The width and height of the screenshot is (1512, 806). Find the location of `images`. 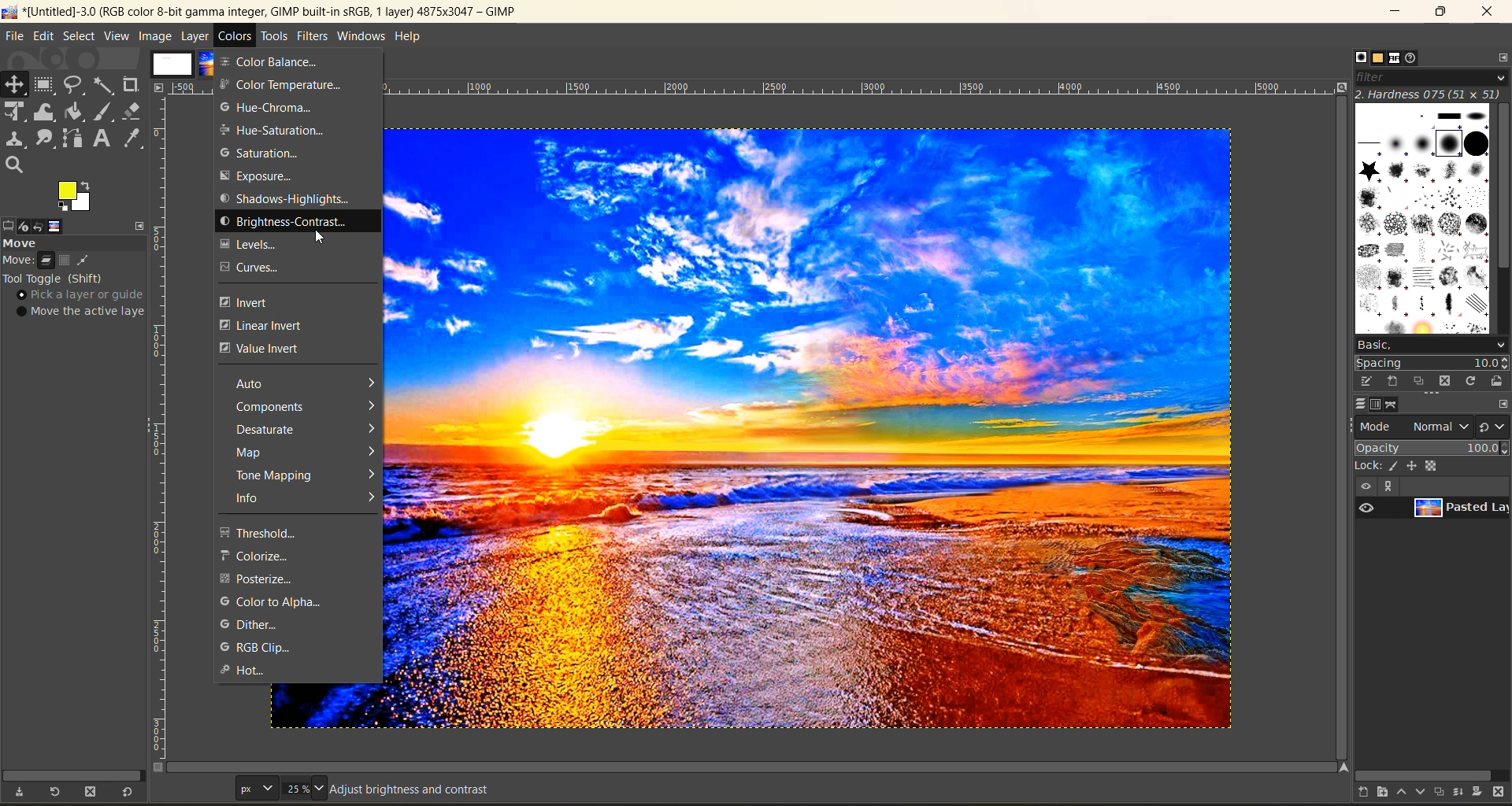

images is located at coordinates (174, 61).